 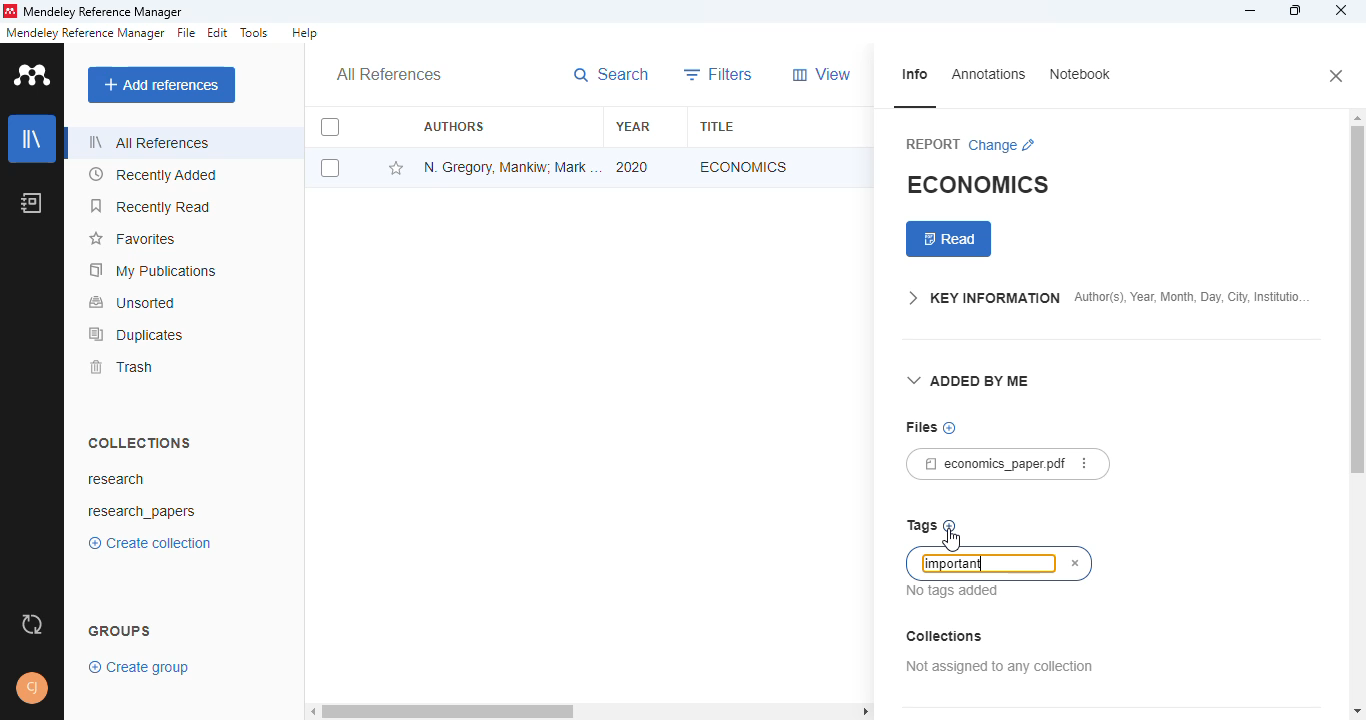 What do you see at coordinates (1252, 10) in the screenshot?
I see `minimize` at bounding box center [1252, 10].